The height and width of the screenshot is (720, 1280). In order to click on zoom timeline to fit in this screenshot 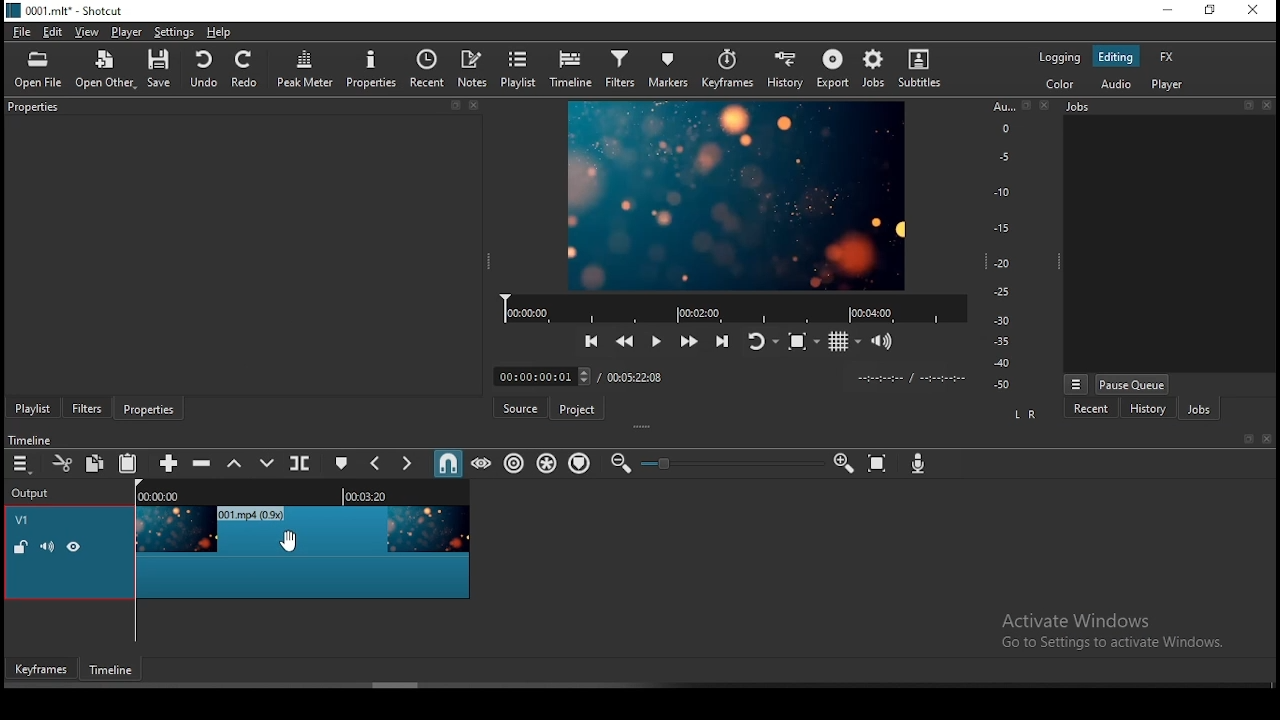, I will do `click(877, 462)`.